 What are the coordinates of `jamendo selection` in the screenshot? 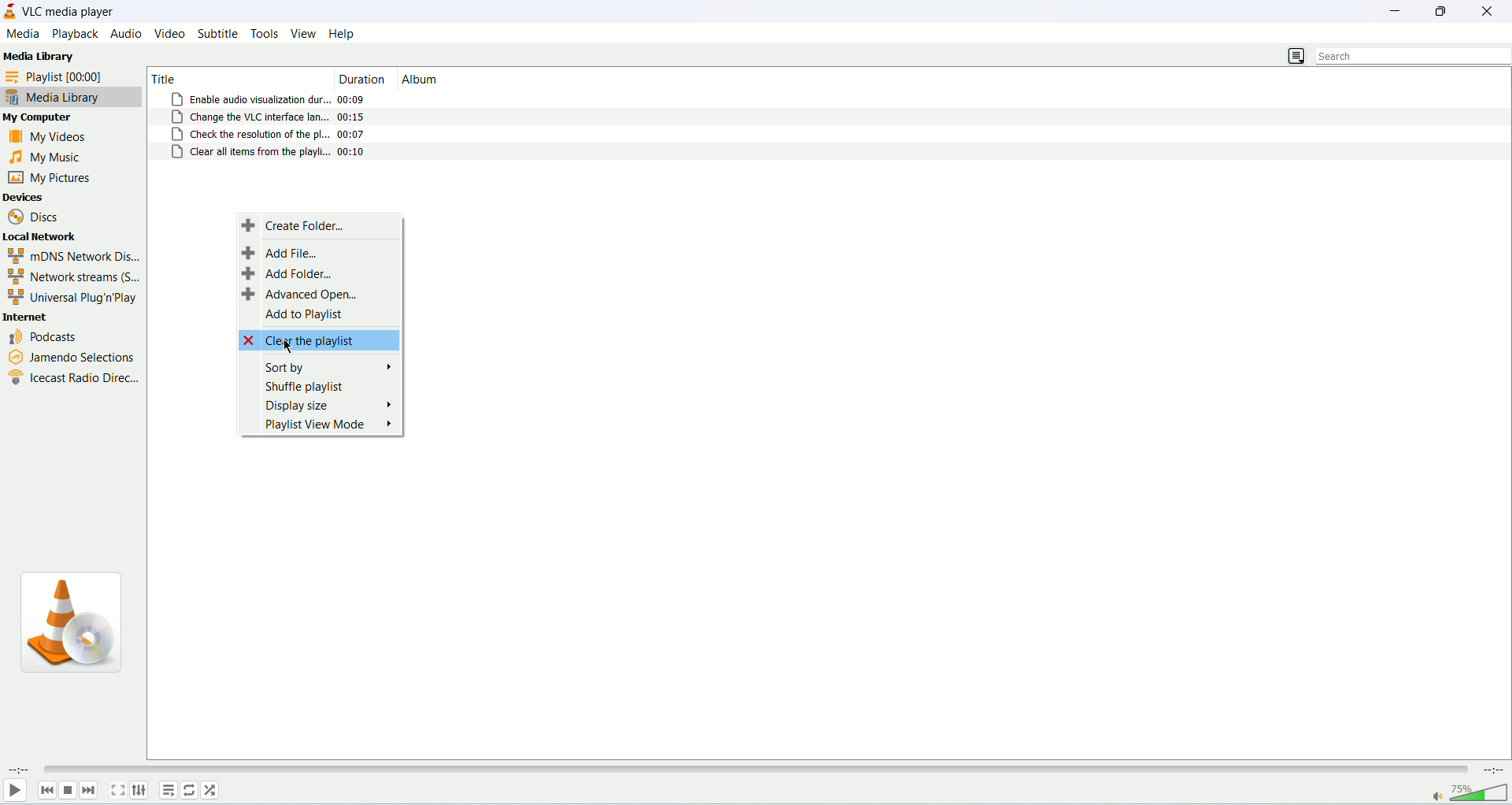 It's located at (73, 359).